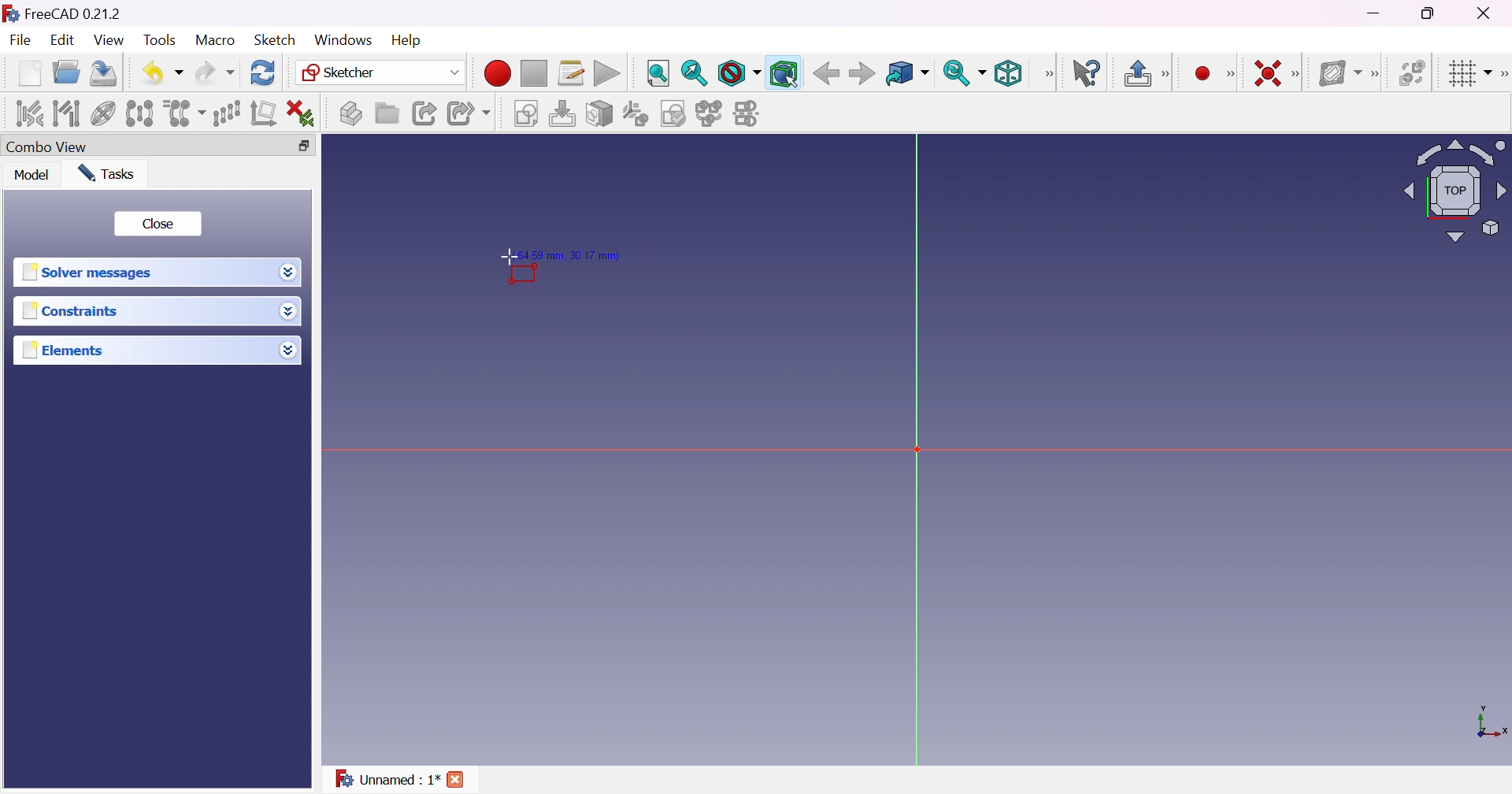 Image resolution: width=1512 pixels, height=794 pixels. I want to click on Close, so click(1486, 14).